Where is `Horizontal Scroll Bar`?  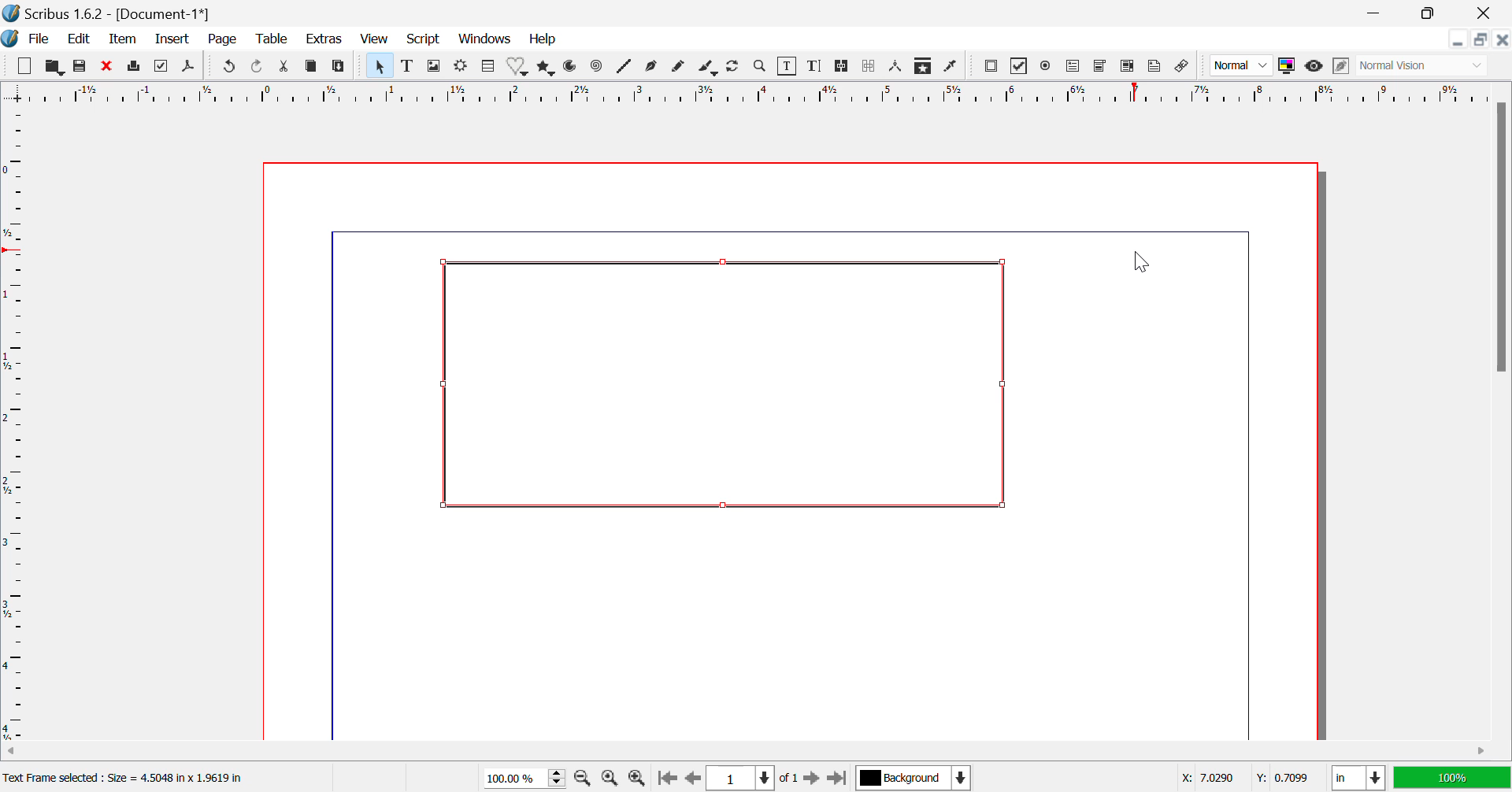 Horizontal Scroll Bar is located at coordinates (736, 751).